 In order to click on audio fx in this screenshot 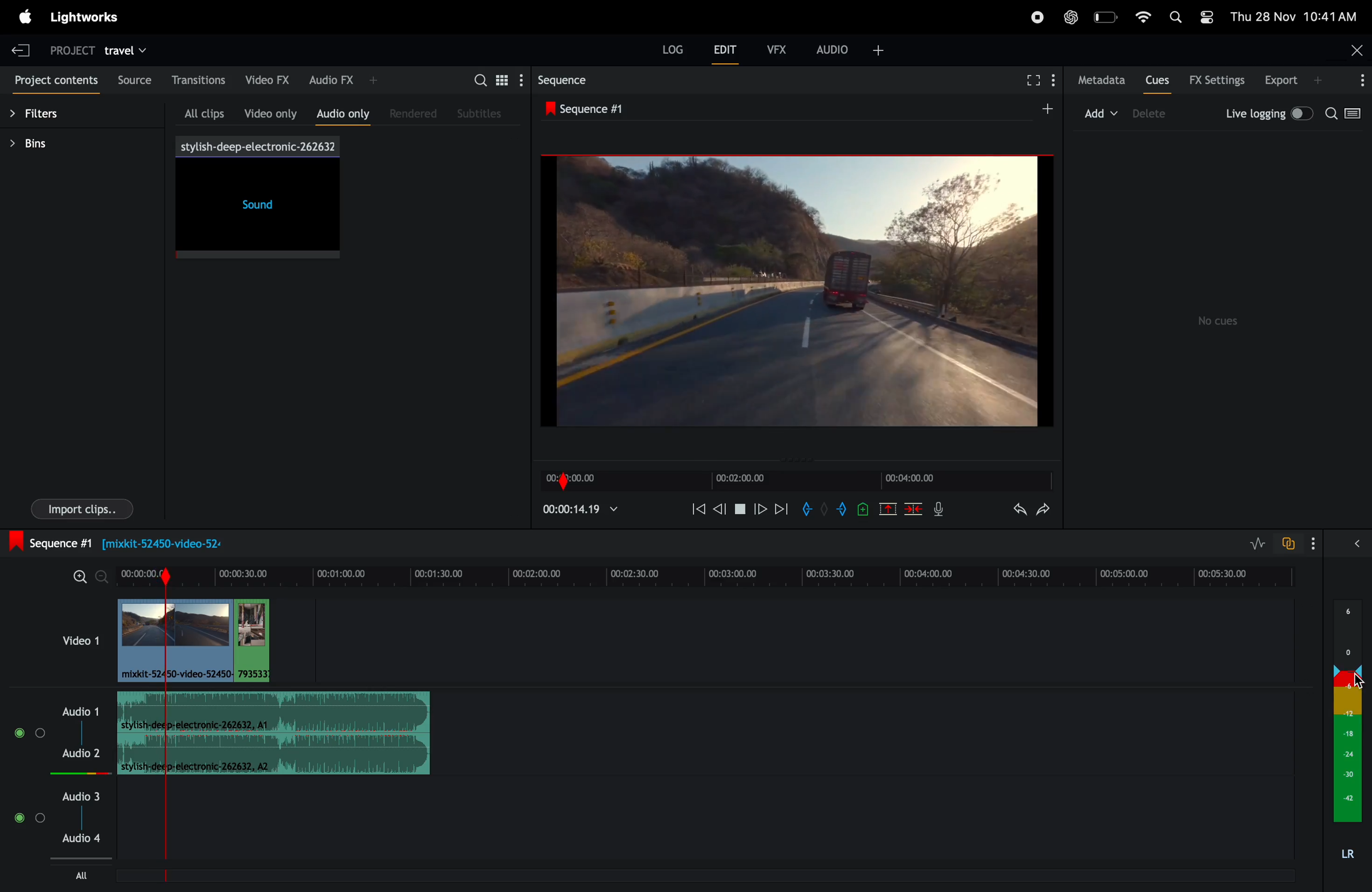, I will do `click(342, 80)`.